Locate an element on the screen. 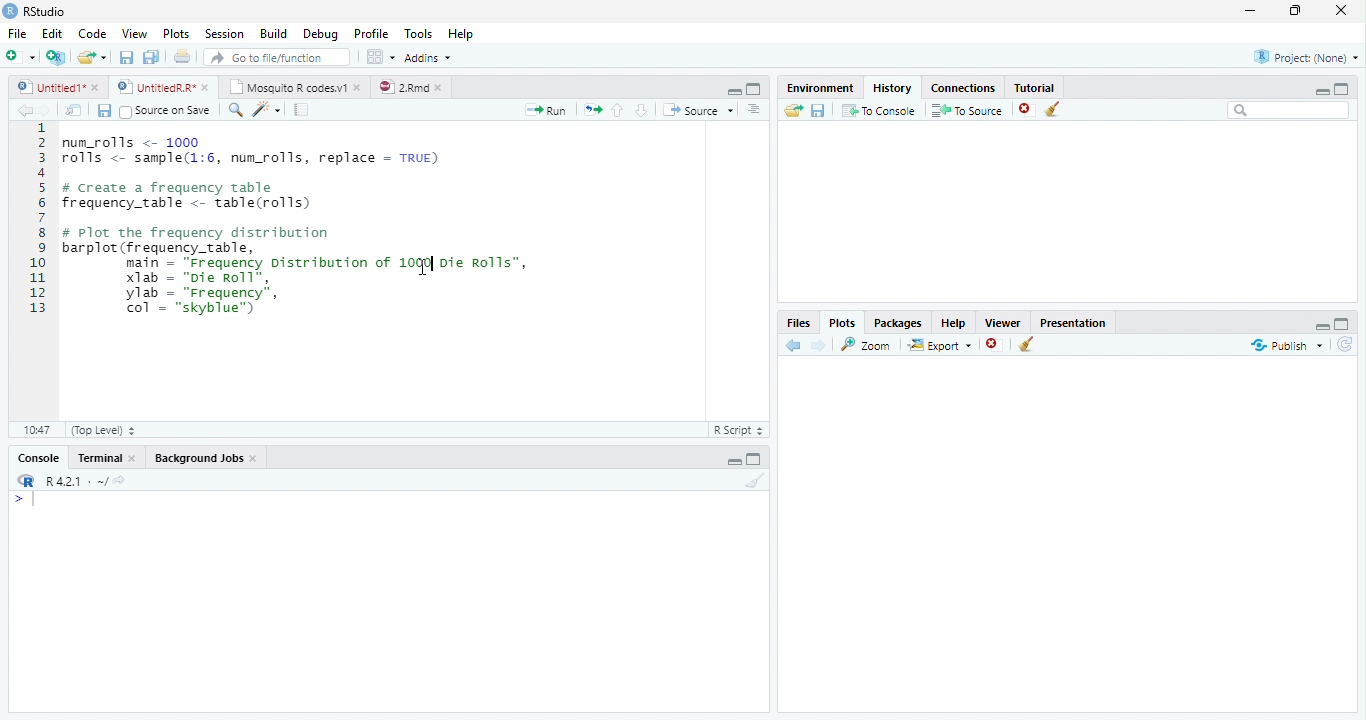  Minimize Height is located at coordinates (1321, 91).